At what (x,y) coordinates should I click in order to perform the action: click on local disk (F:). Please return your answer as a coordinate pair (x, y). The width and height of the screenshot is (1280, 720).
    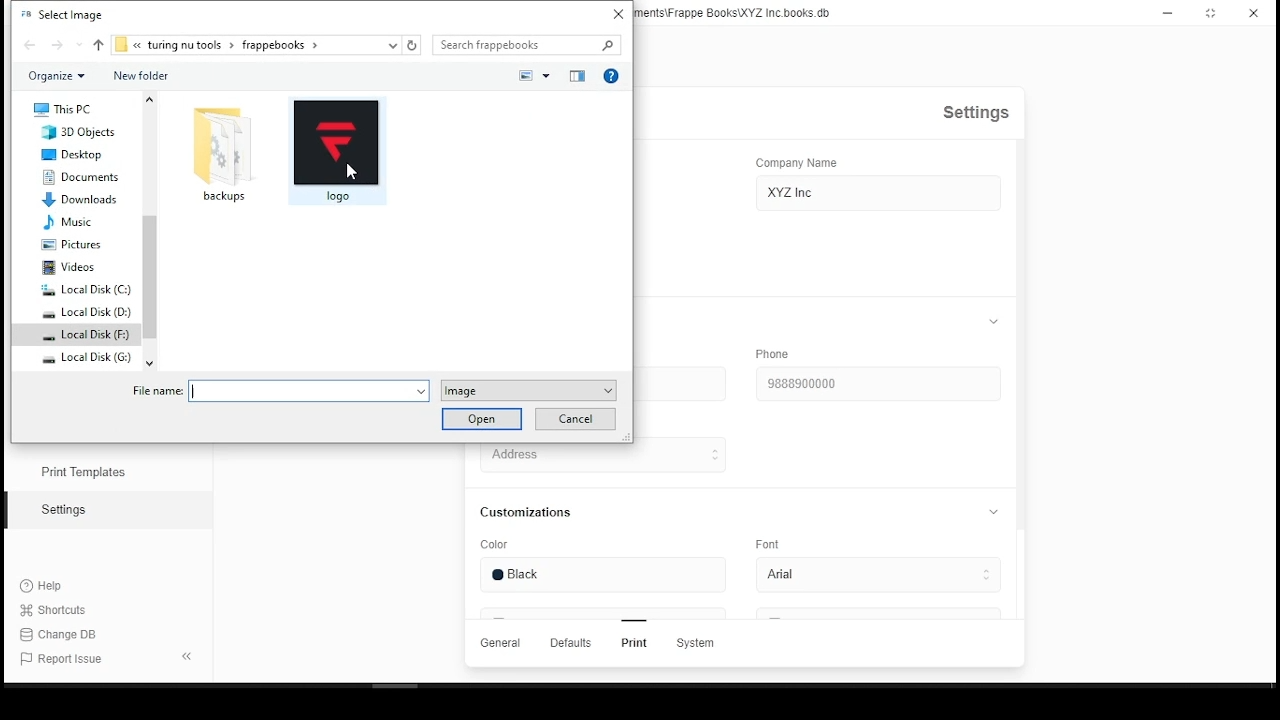
    Looking at the image, I should click on (86, 334).